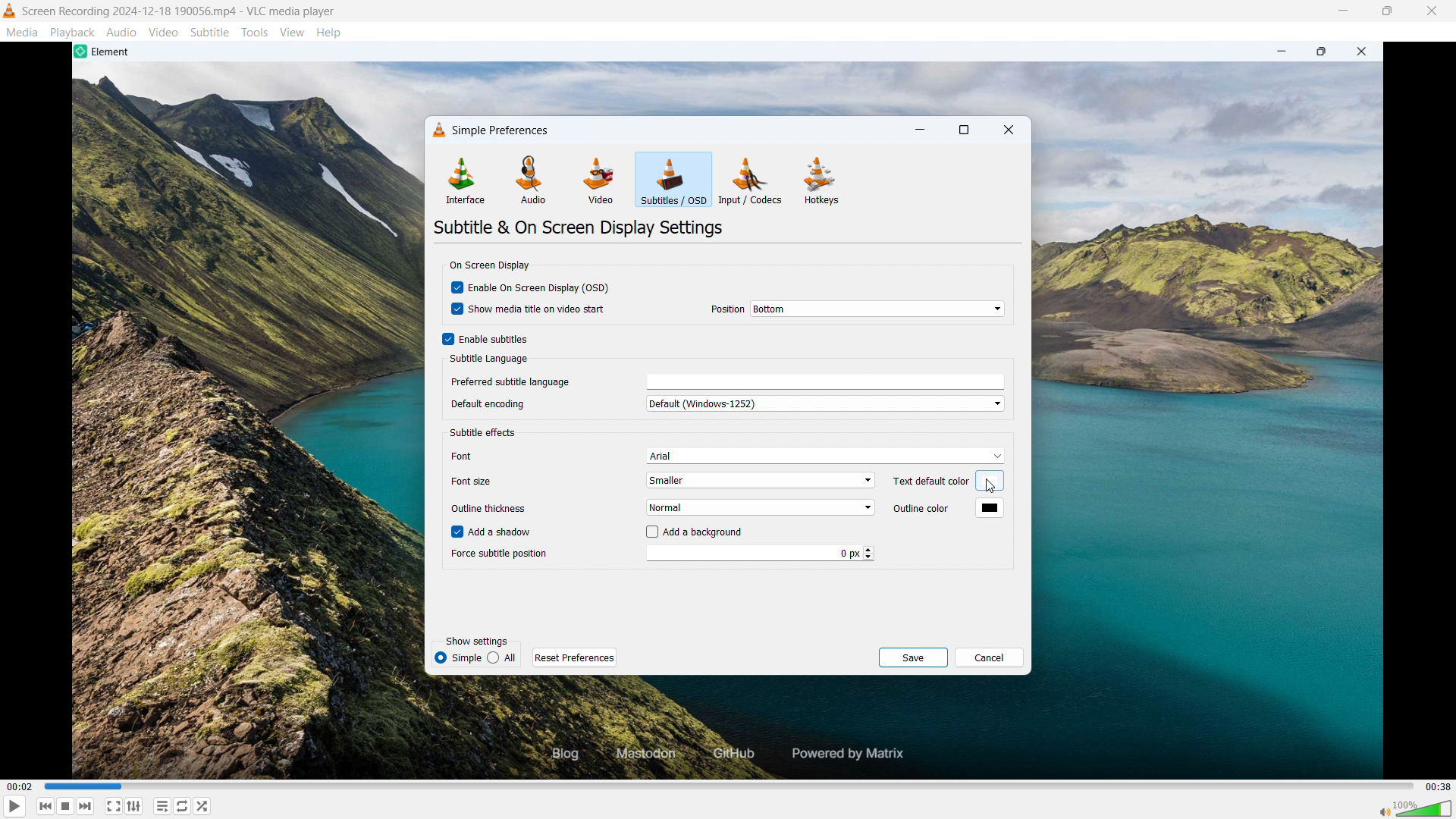  I want to click on Input or codecs , so click(751, 180).